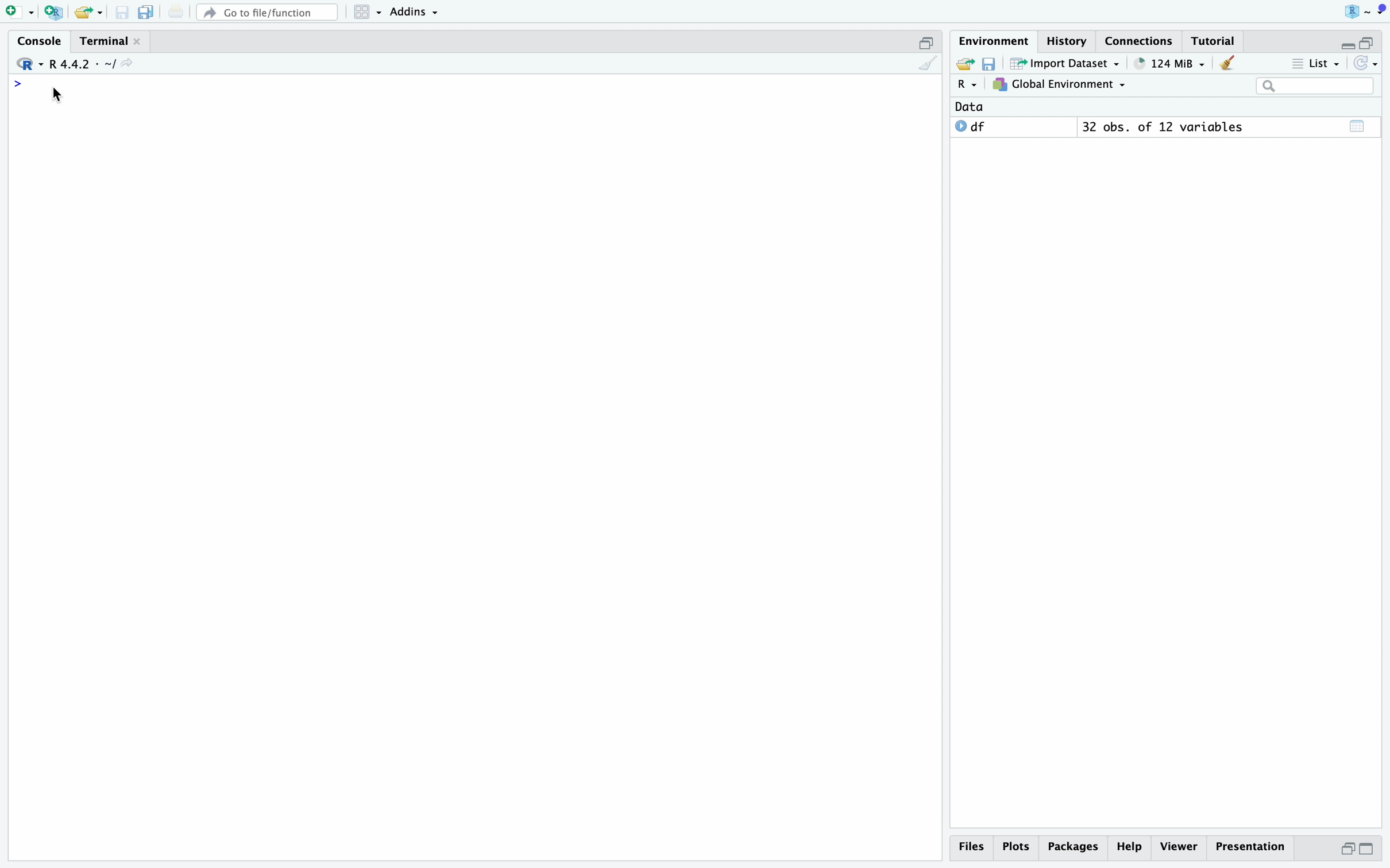  What do you see at coordinates (41, 41) in the screenshot?
I see `console` at bounding box center [41, 41].